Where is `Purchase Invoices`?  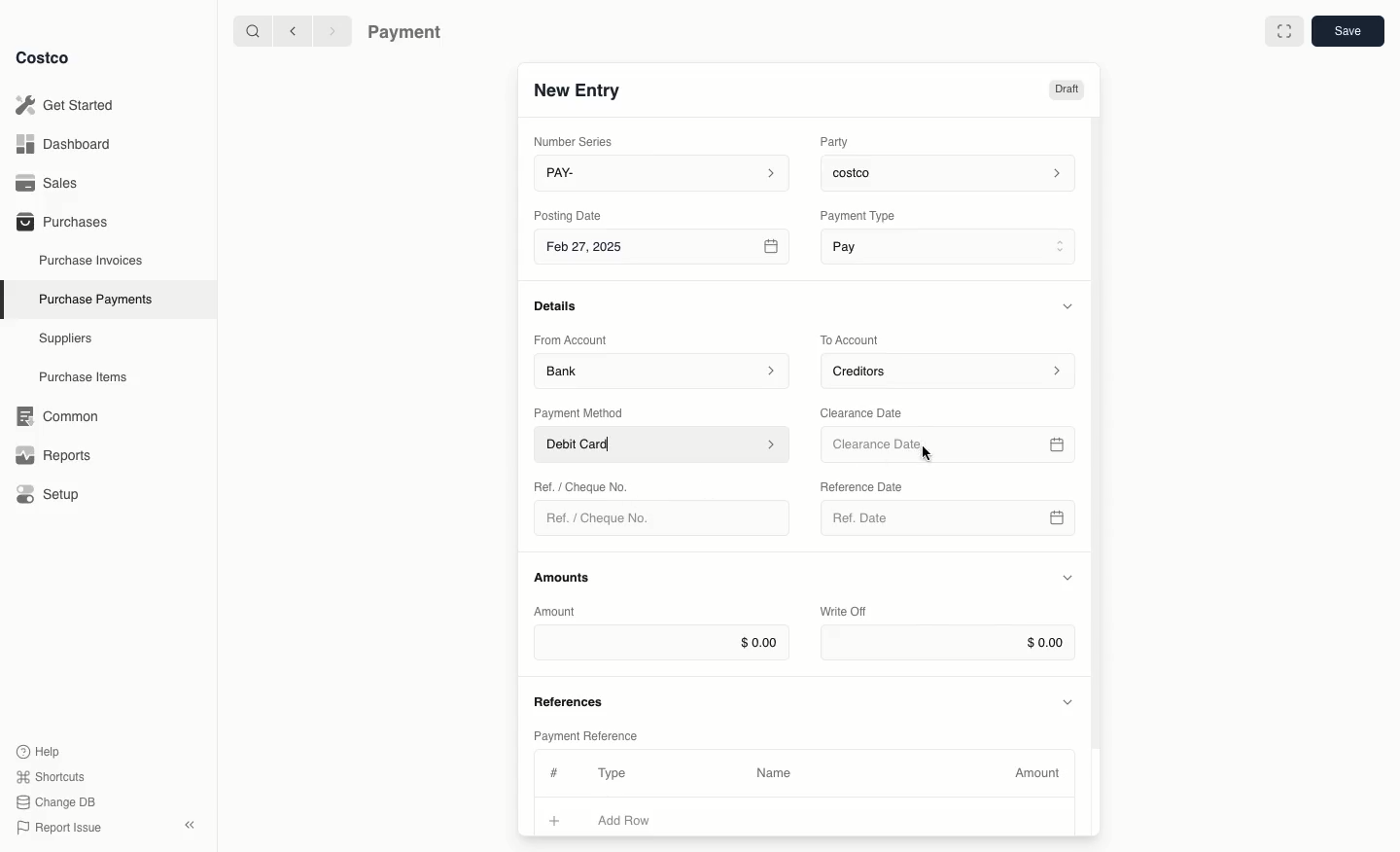 Purchase Invoices is located at coordinates (92, 260).